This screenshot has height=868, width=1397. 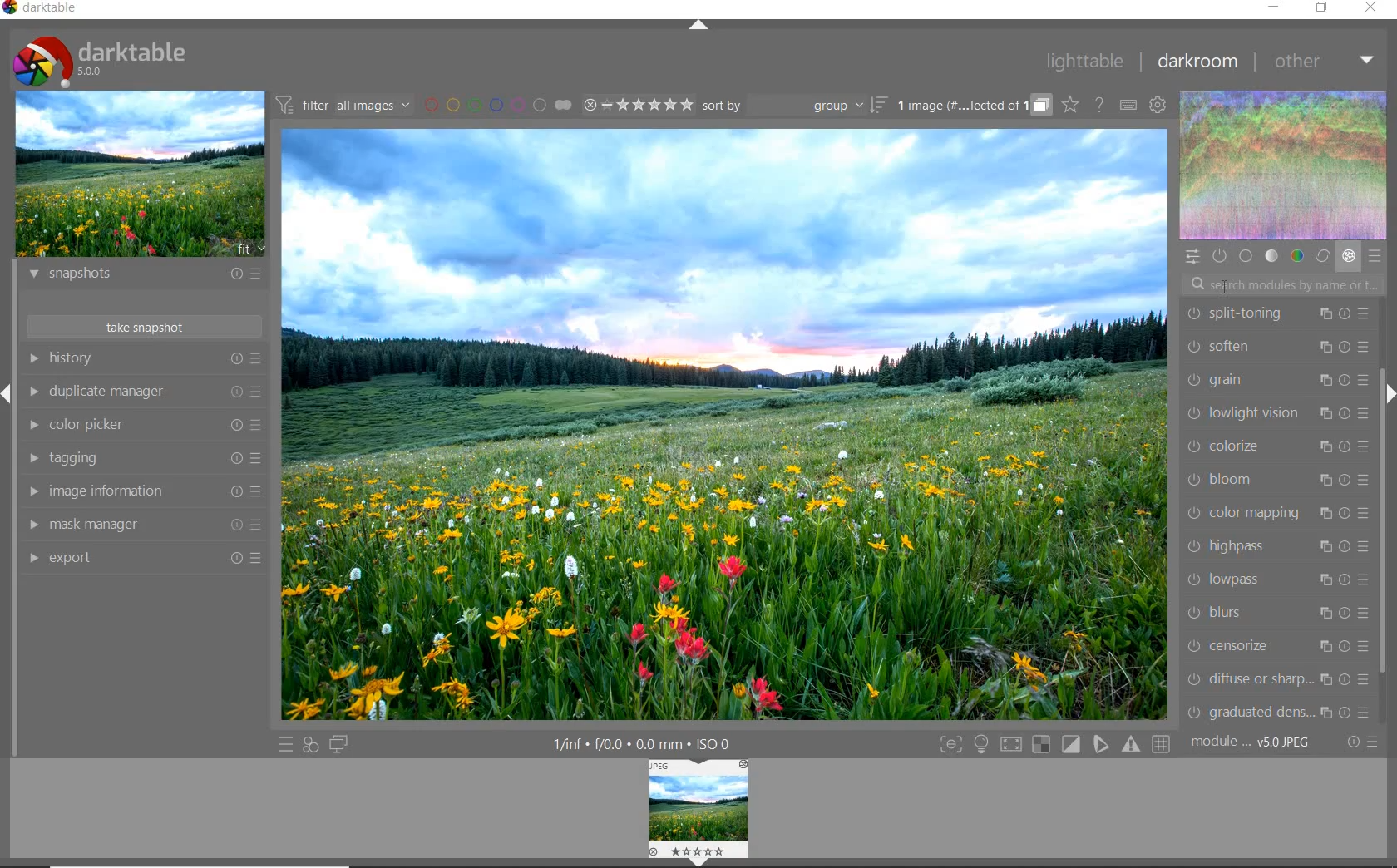 I want to click on filter images by color labels, so click(x=496, y=105).